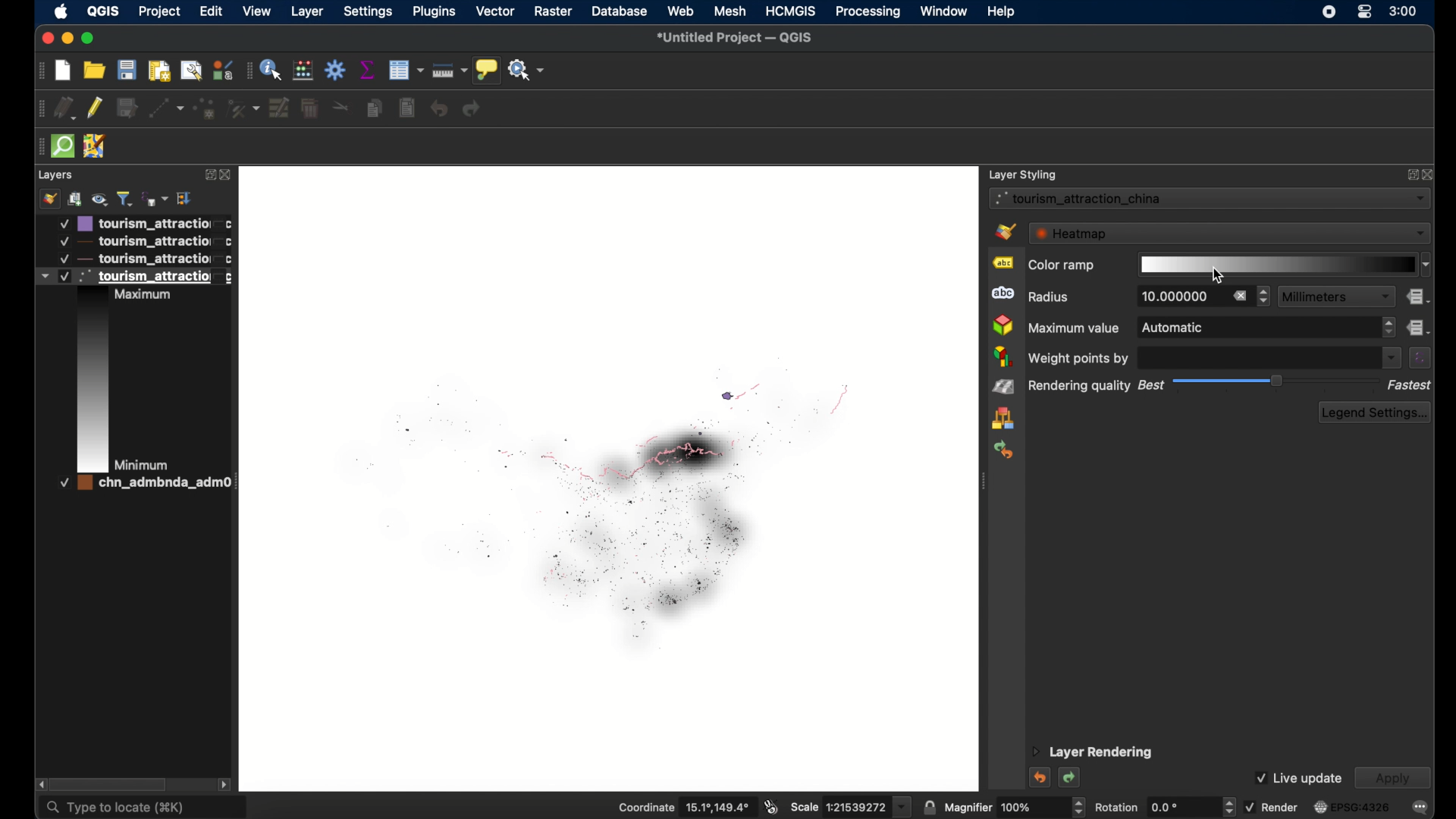 Image resolution: width=1456 pixels, height=819 pixels. What do you see at coordinates (682, 10) in the screenshot?
I see `web` at bounding box center [682, 10].